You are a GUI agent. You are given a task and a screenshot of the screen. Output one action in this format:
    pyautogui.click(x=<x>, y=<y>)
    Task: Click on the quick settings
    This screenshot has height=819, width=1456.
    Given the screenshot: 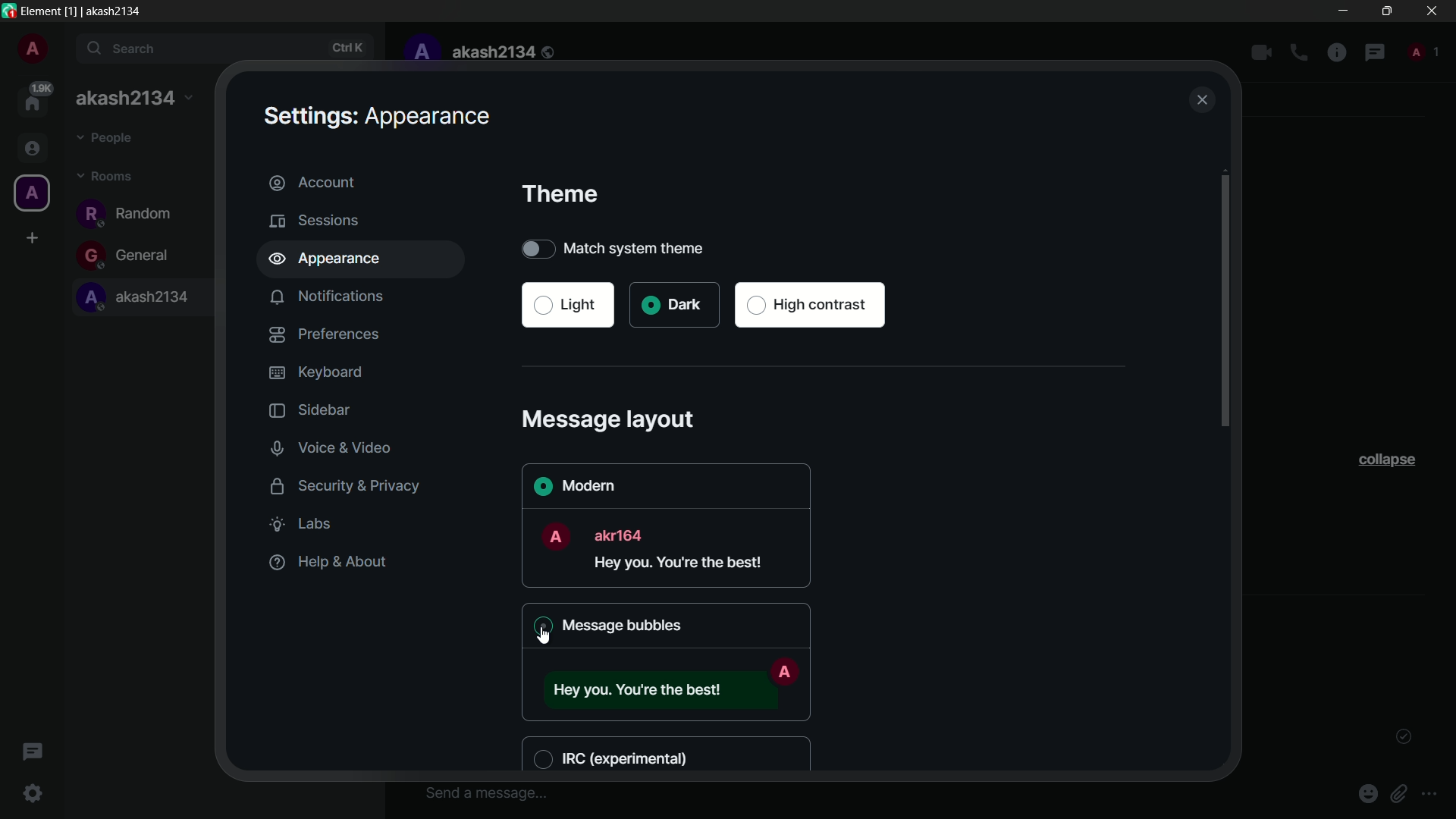 What is the action you would take?
    pyautogui.click(x=34, y=795)
    